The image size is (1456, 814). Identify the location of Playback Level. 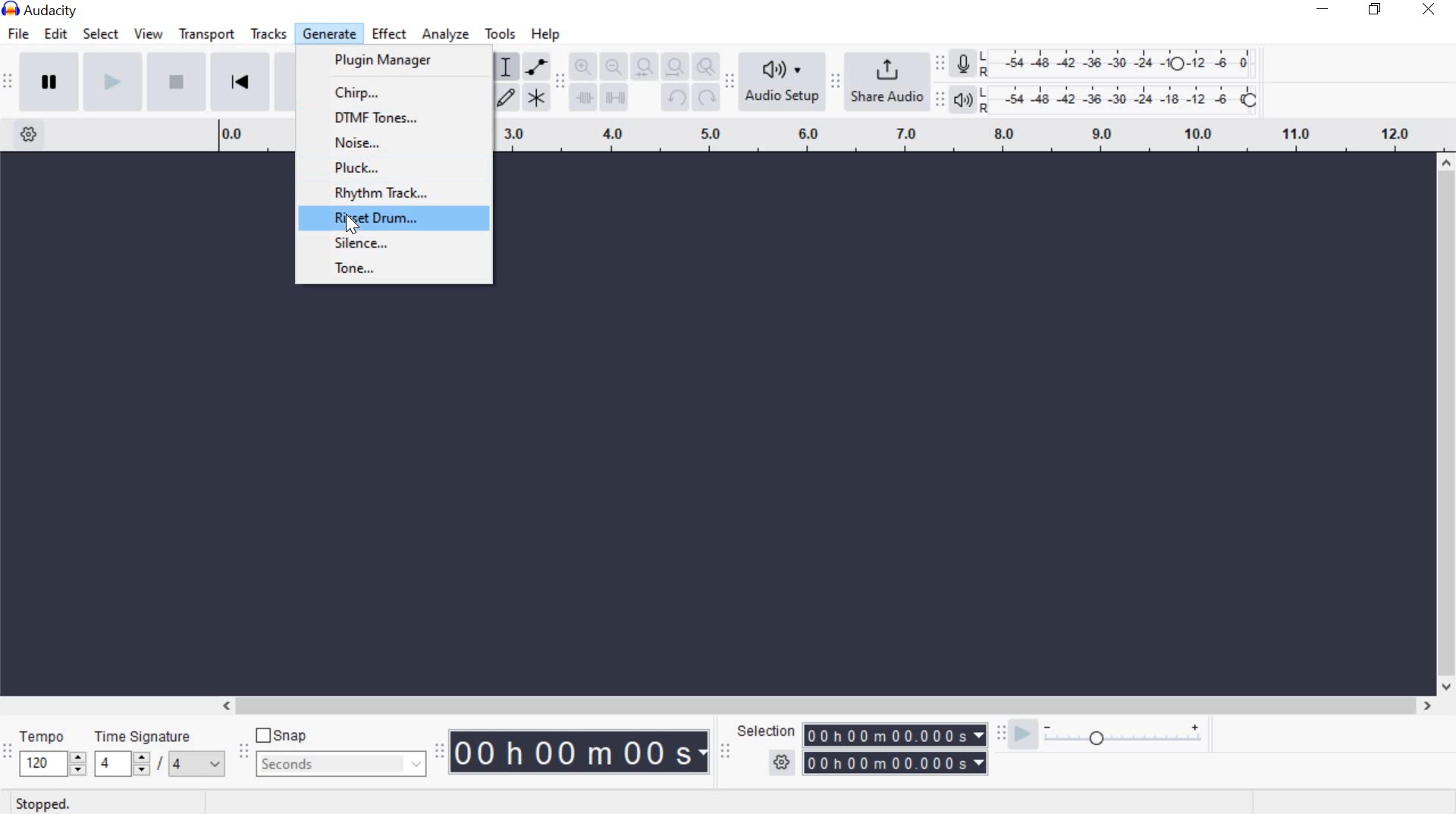
(1105, 99).